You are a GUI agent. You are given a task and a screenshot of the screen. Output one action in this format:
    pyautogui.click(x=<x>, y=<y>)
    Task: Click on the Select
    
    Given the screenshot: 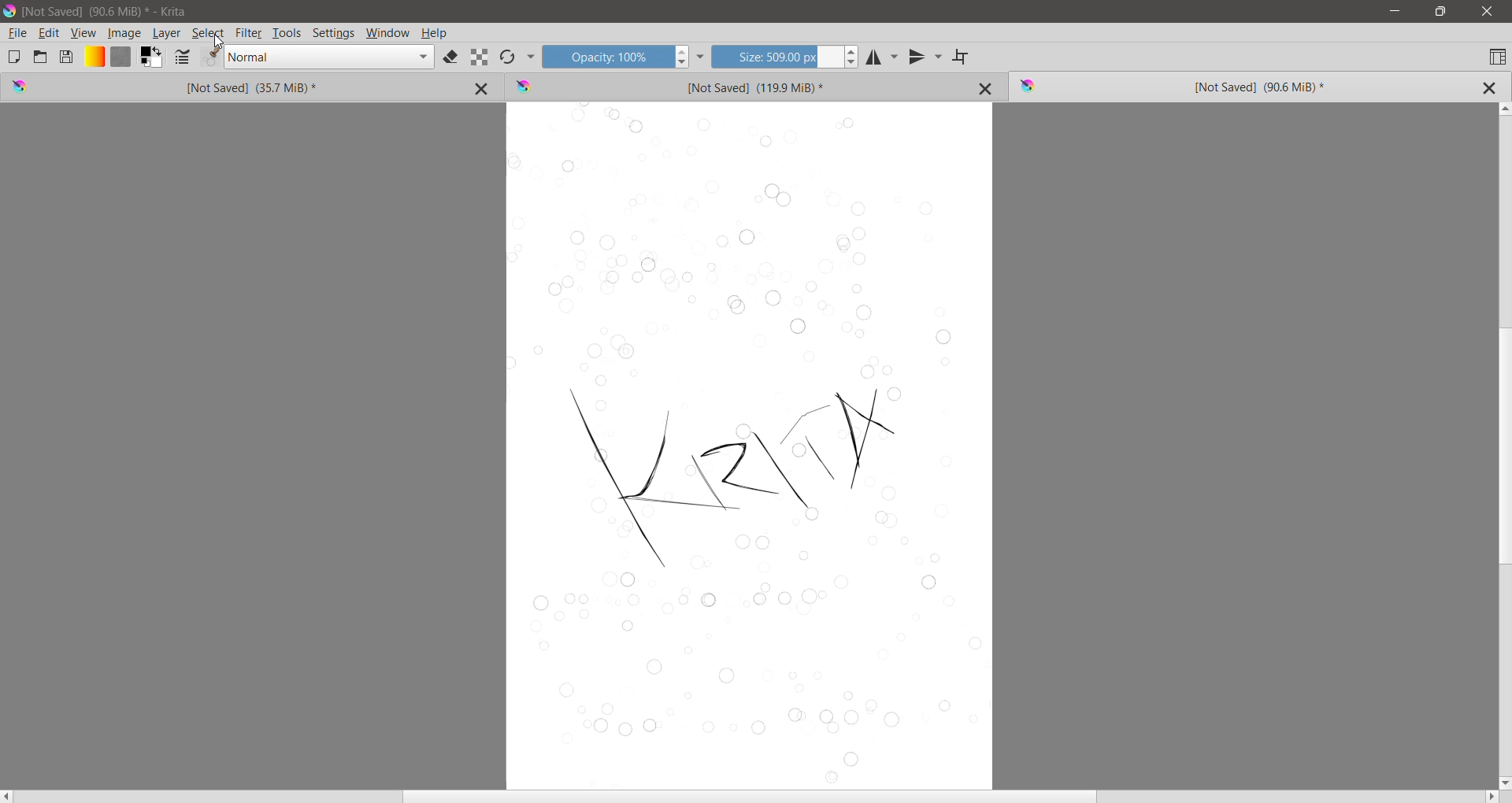 What is the action you would take?
    pyautogui.click(x=209, y=33)
    